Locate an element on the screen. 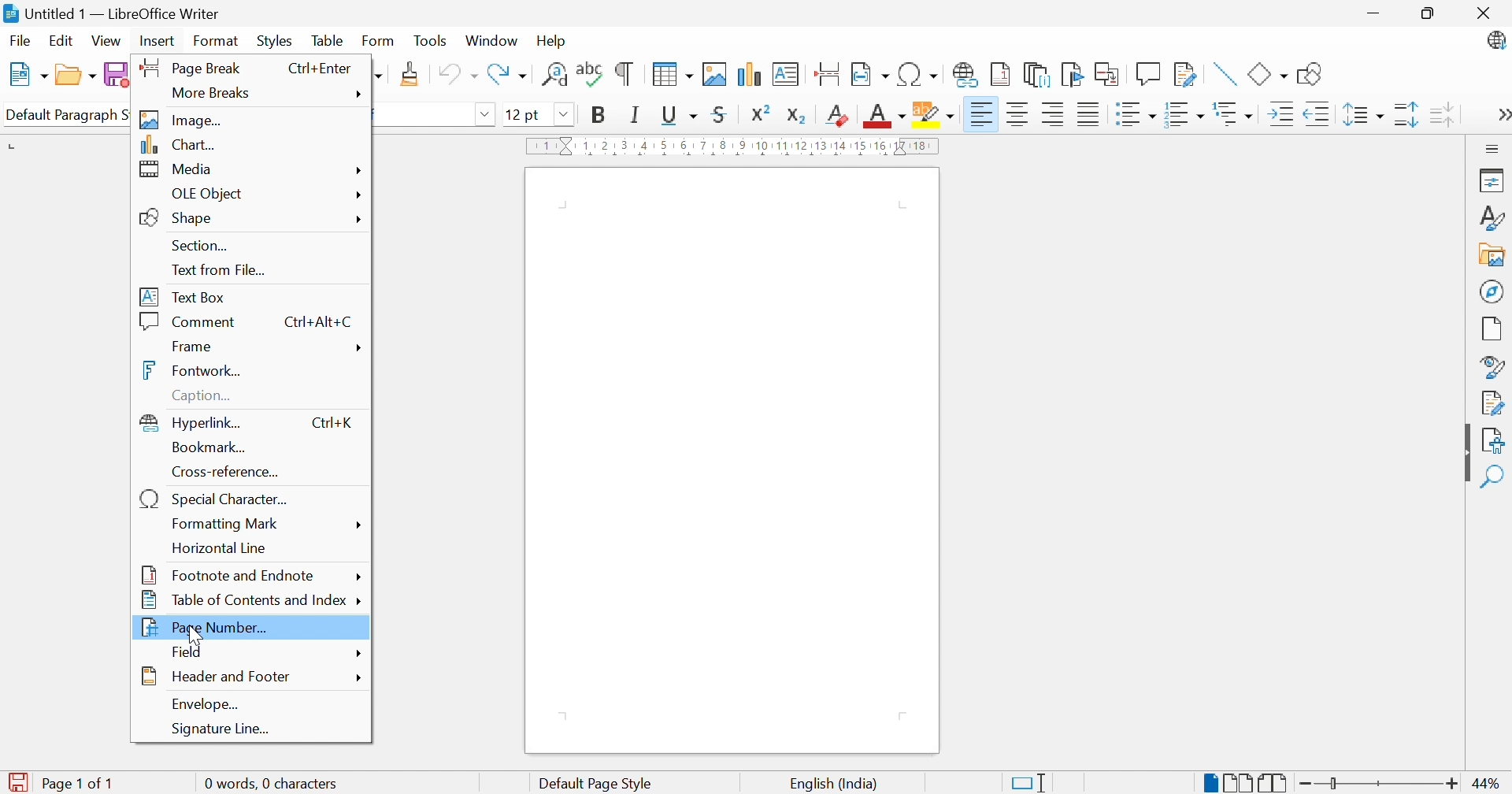  Shape is located at coordinates (180, 218).